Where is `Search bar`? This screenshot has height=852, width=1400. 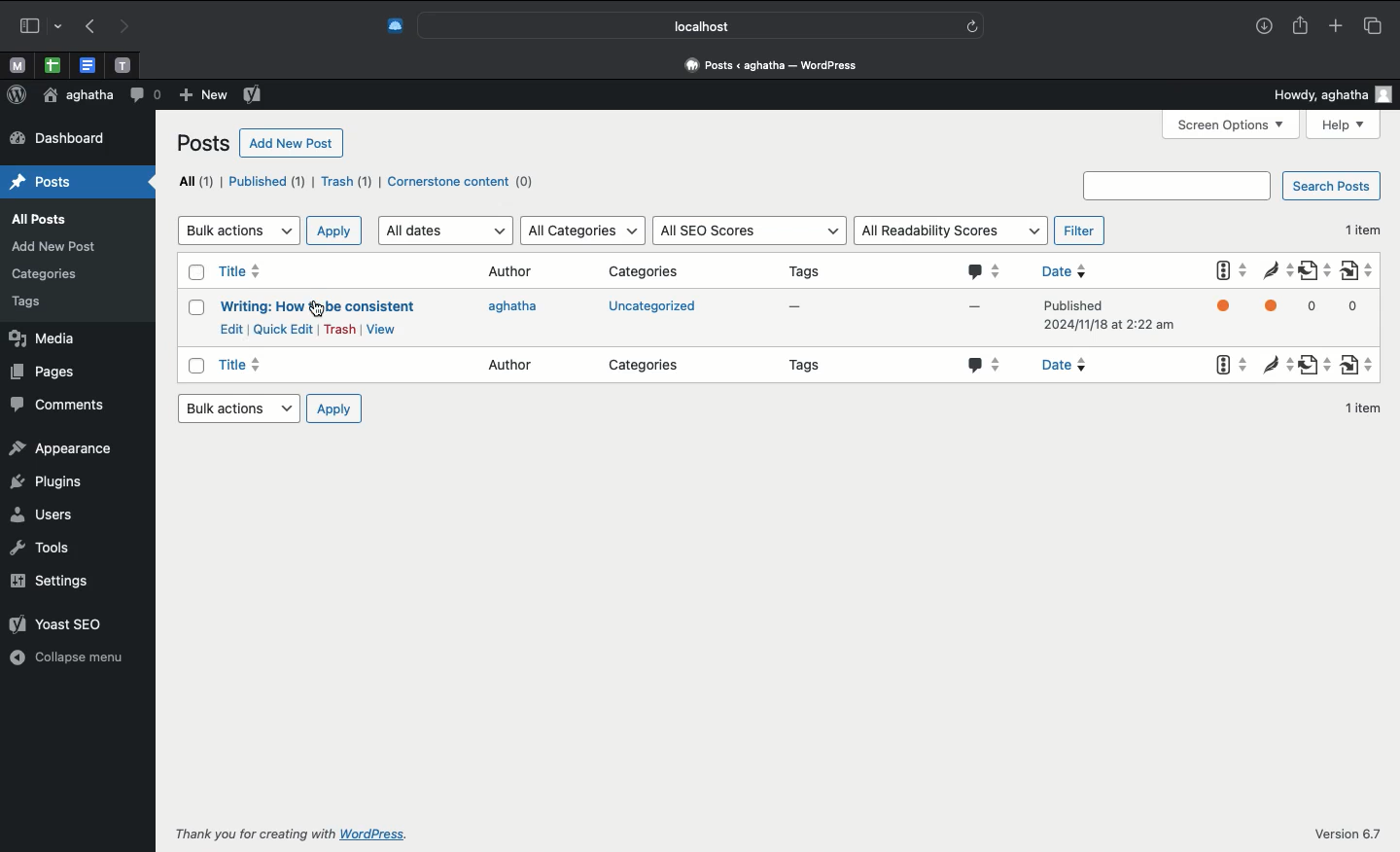 Search bar is located at coordinates (701, 25).